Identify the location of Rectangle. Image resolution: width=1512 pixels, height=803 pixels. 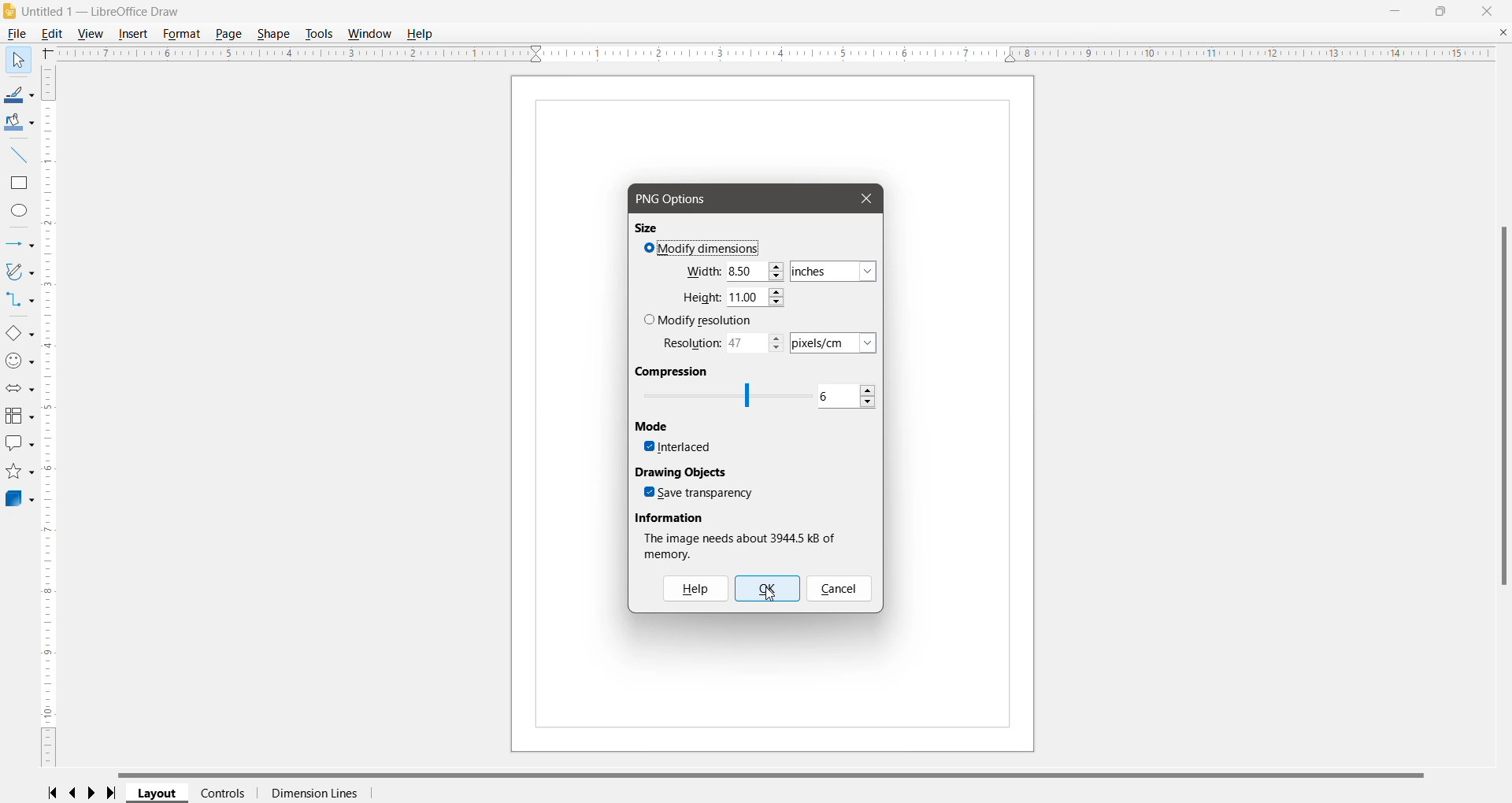
(20, 184).